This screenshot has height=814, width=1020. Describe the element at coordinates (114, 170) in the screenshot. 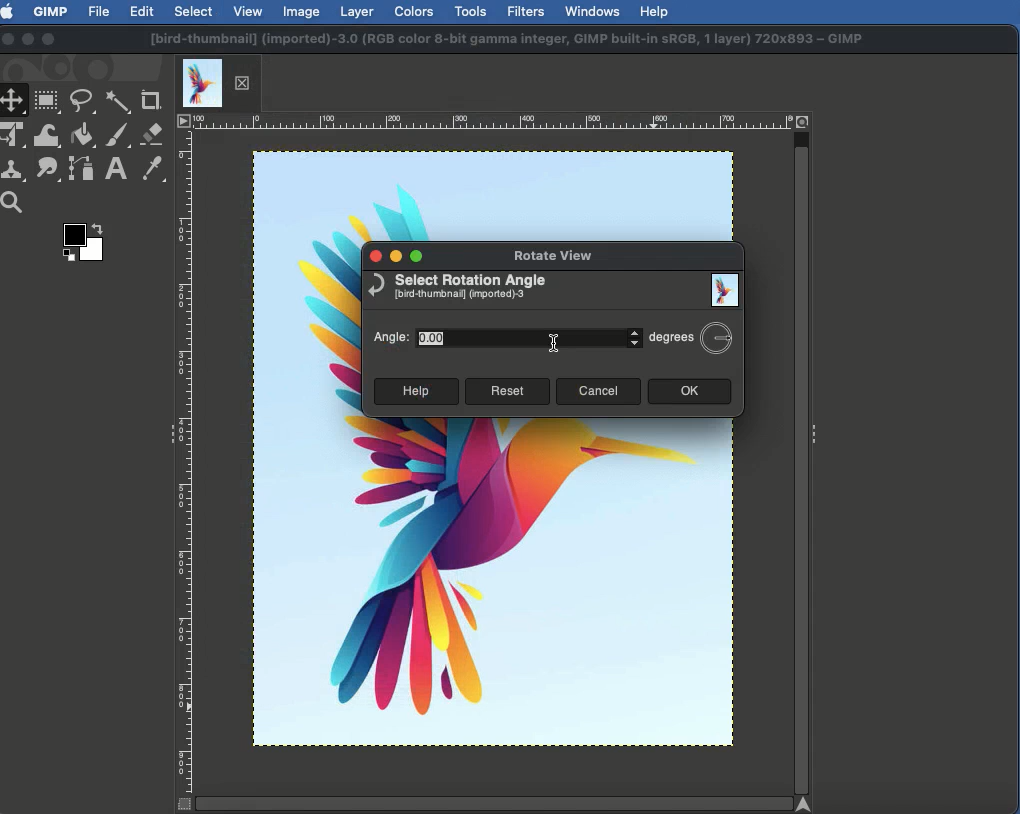

I see `Text` at that location.